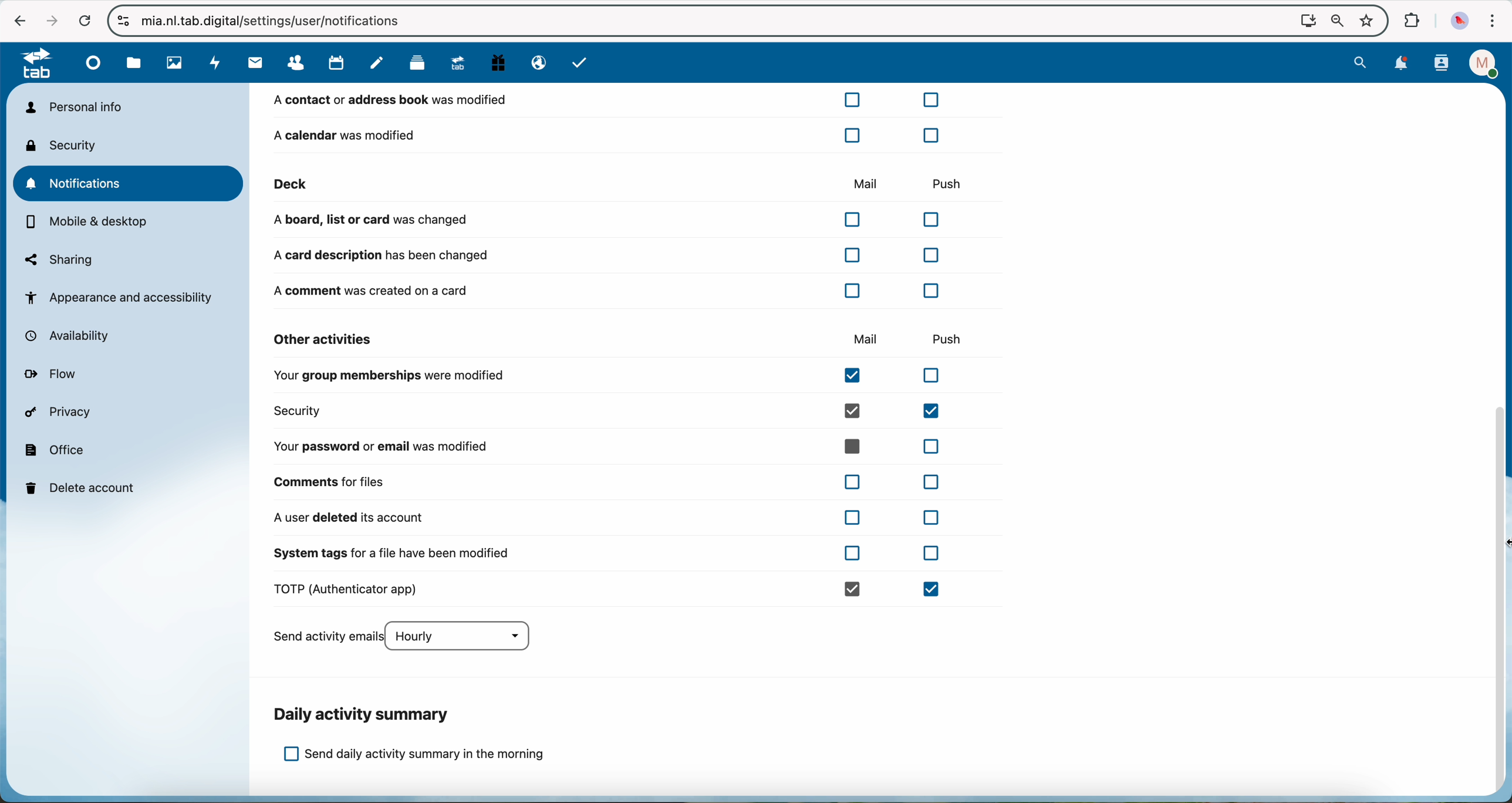 This screenshot has height=803, width=1512. I want to click on calendar, so click(338, 63).